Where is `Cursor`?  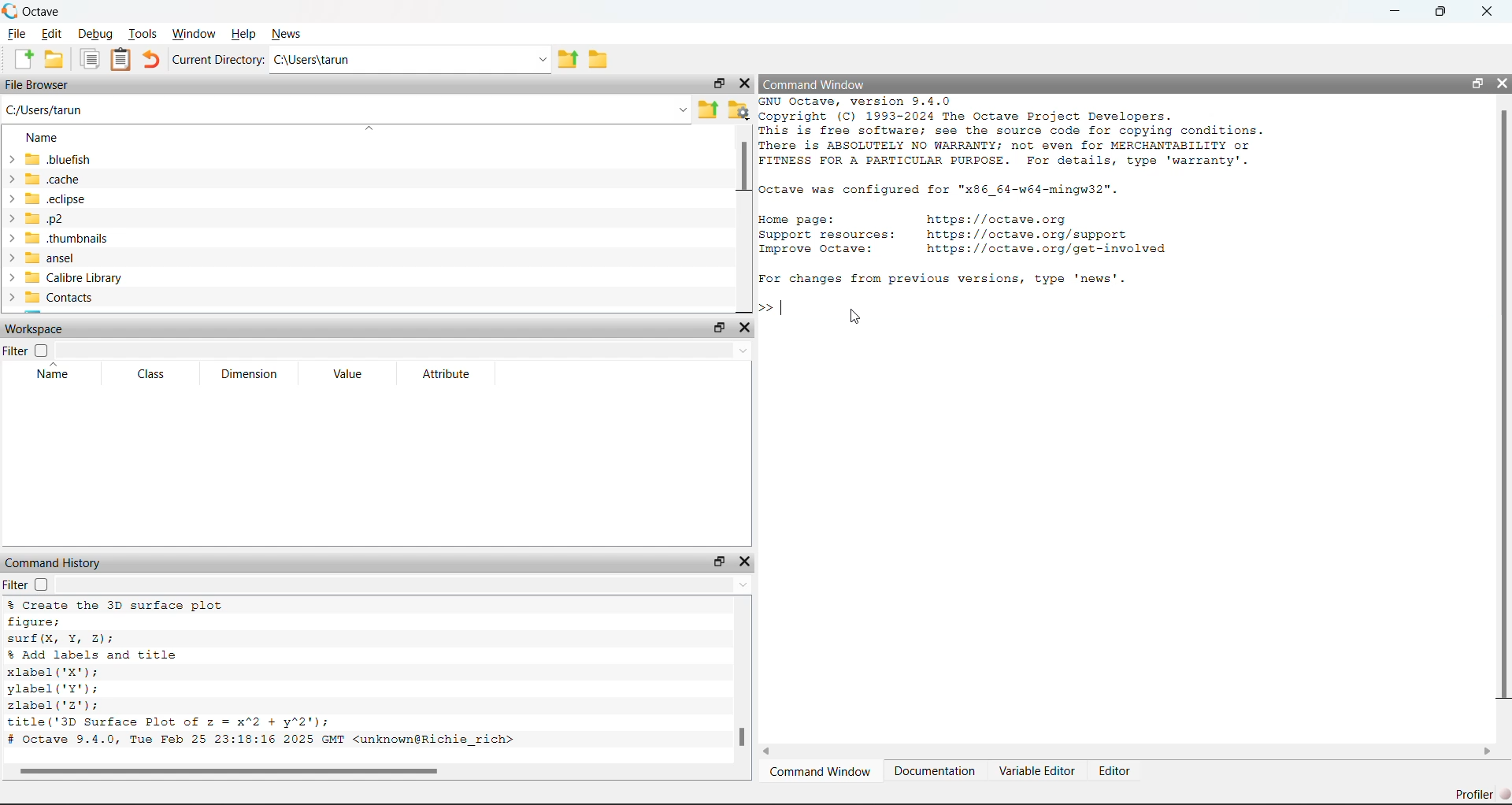 Cursor is located at coordinates (854, 315).